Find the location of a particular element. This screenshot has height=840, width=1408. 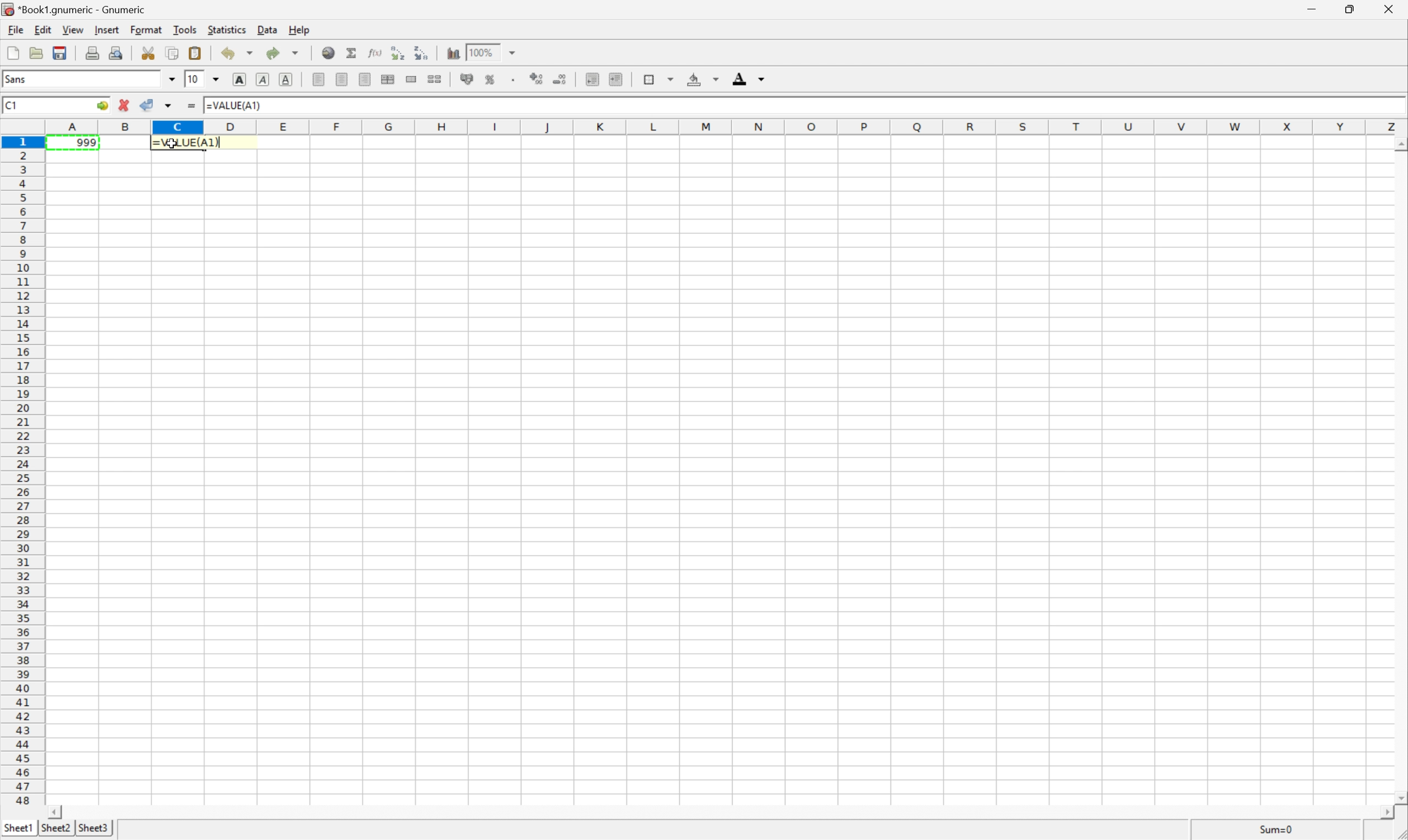

save current workbook is located at coordinates (60, 52).